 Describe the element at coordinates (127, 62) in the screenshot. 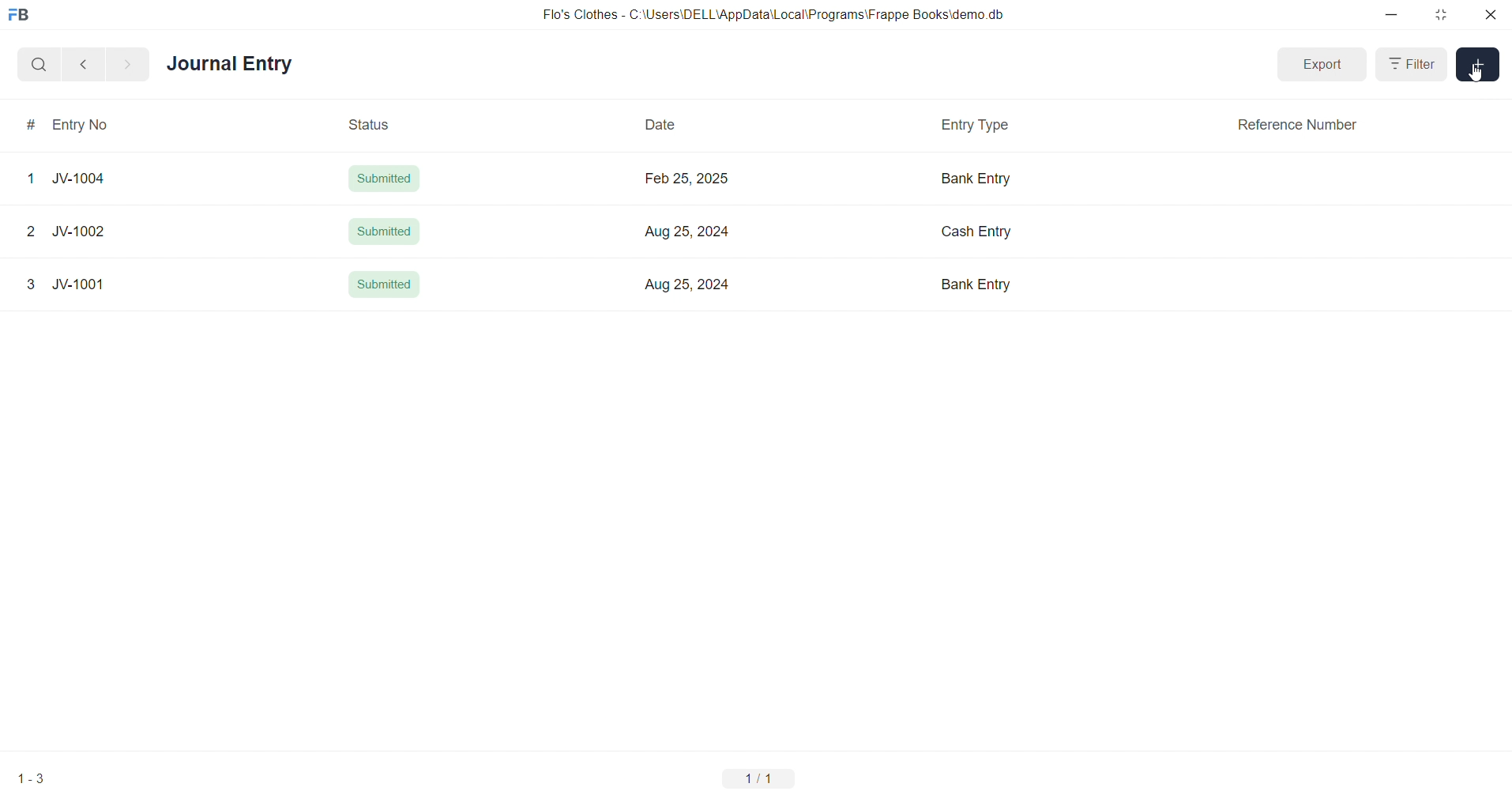

I see `navigate forward` at that location.